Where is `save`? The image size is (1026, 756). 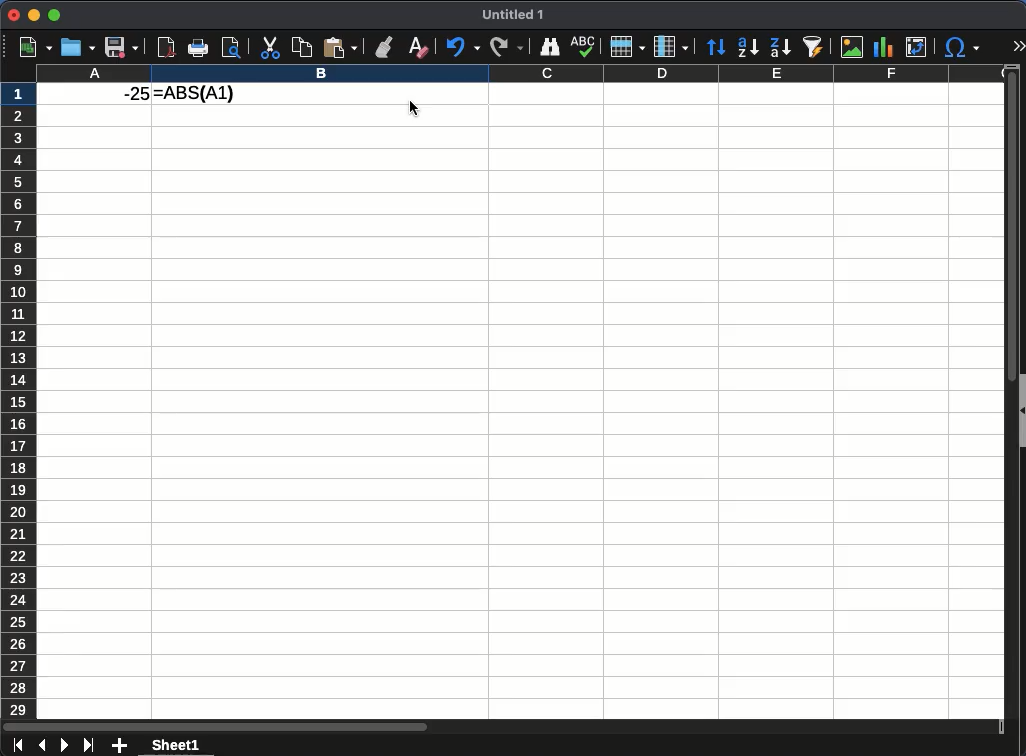 save is located at coordinates (122, 47).